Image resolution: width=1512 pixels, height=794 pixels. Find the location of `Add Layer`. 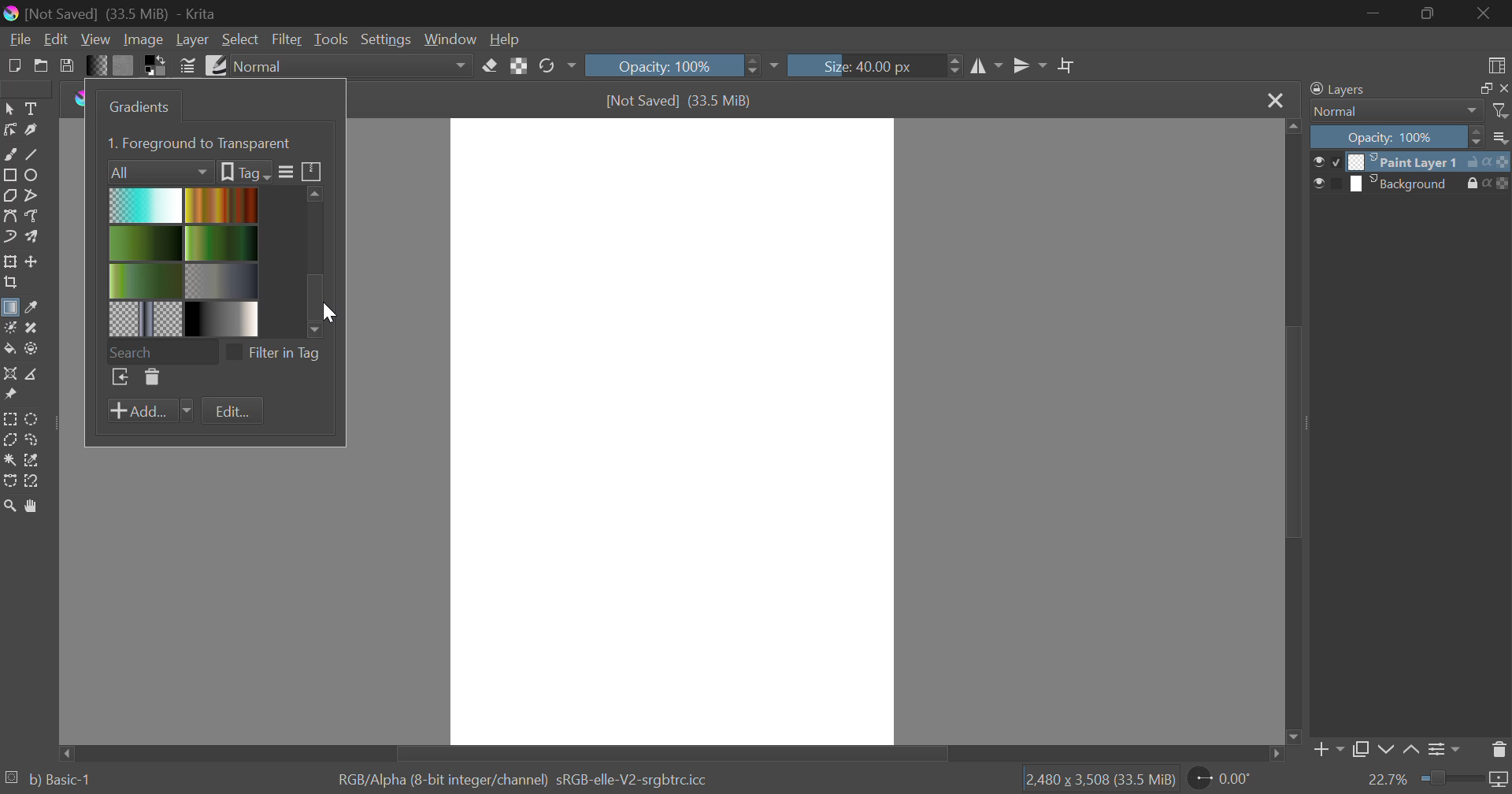

Add Layer is located at coordinates (1327, 753).